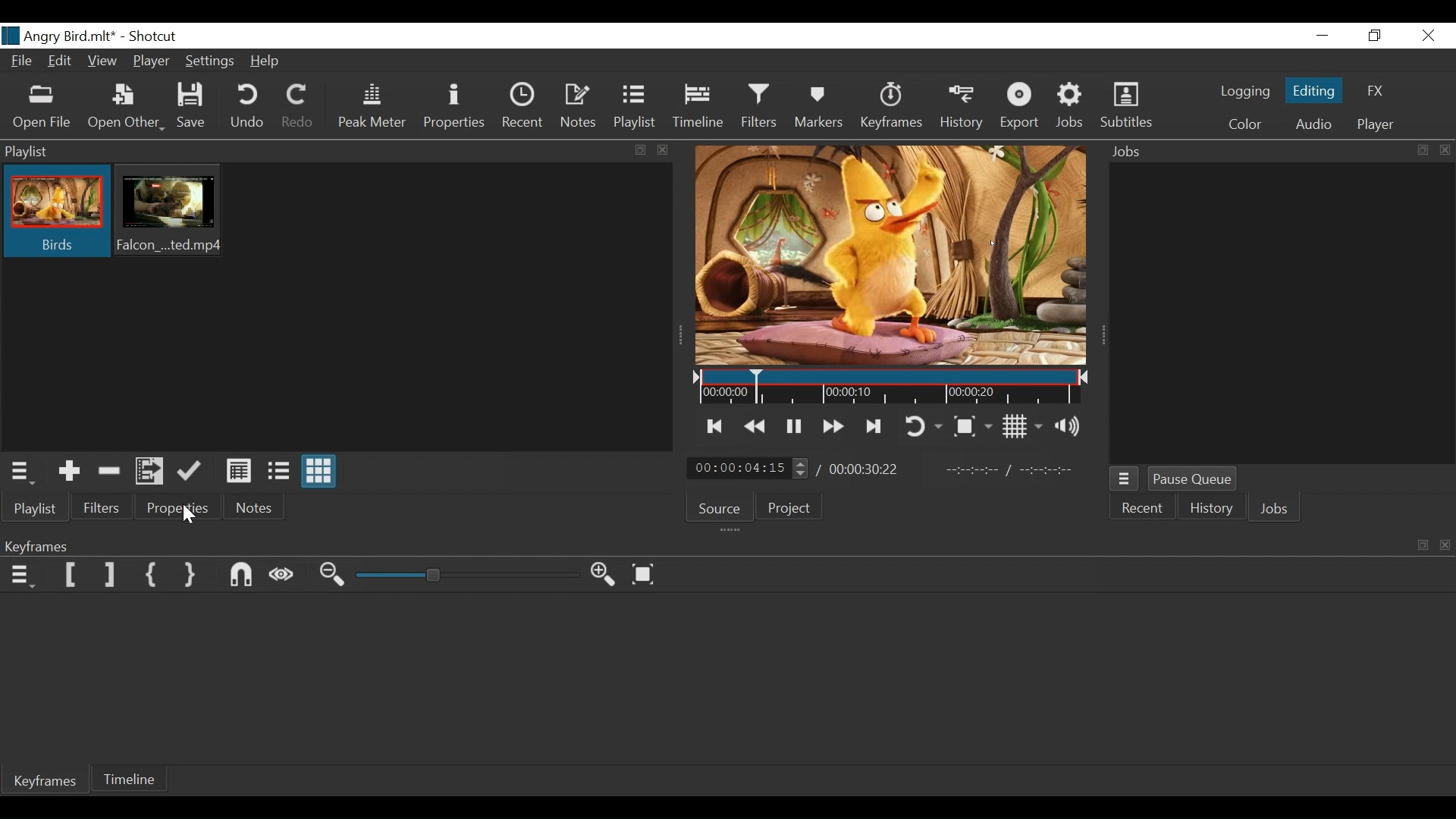 This screenshot has height=819, width=1456. I want to click on Open File, so click(42, 107).